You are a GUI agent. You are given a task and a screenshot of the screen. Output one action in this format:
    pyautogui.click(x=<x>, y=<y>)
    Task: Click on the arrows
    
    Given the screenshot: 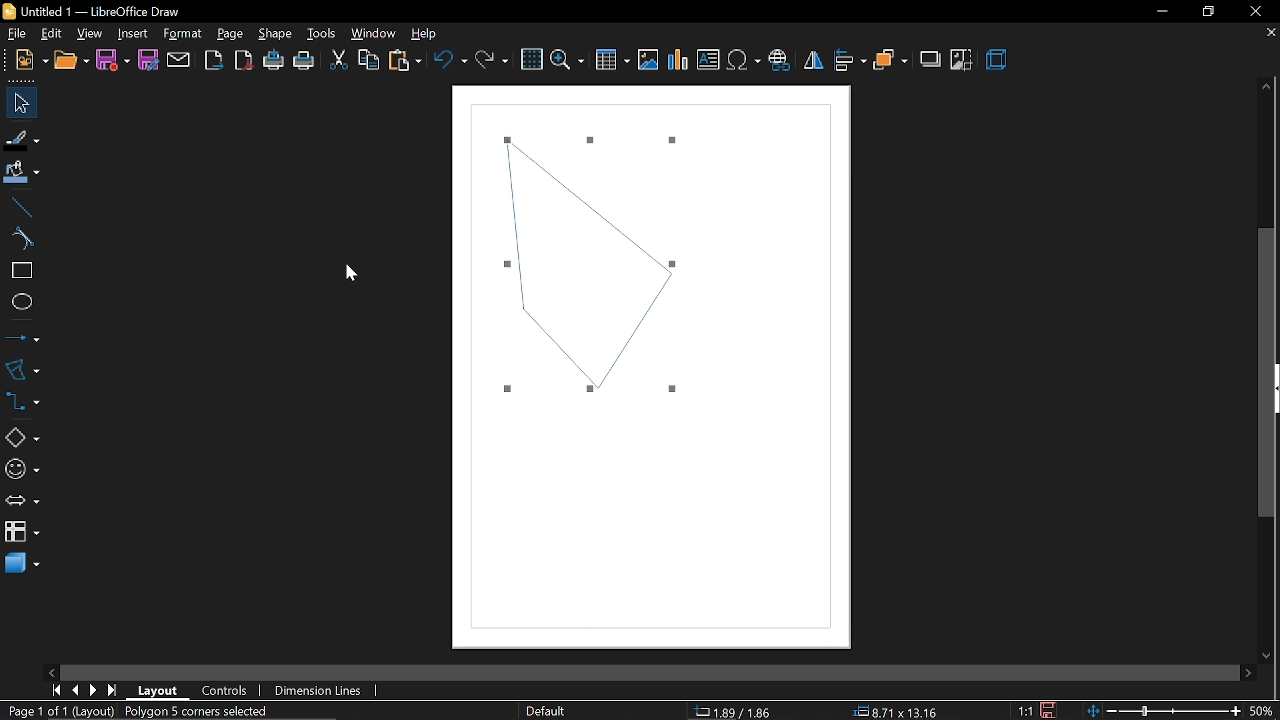 What is the action you would take?
    pyautogui.click(x=22, y=502)
    